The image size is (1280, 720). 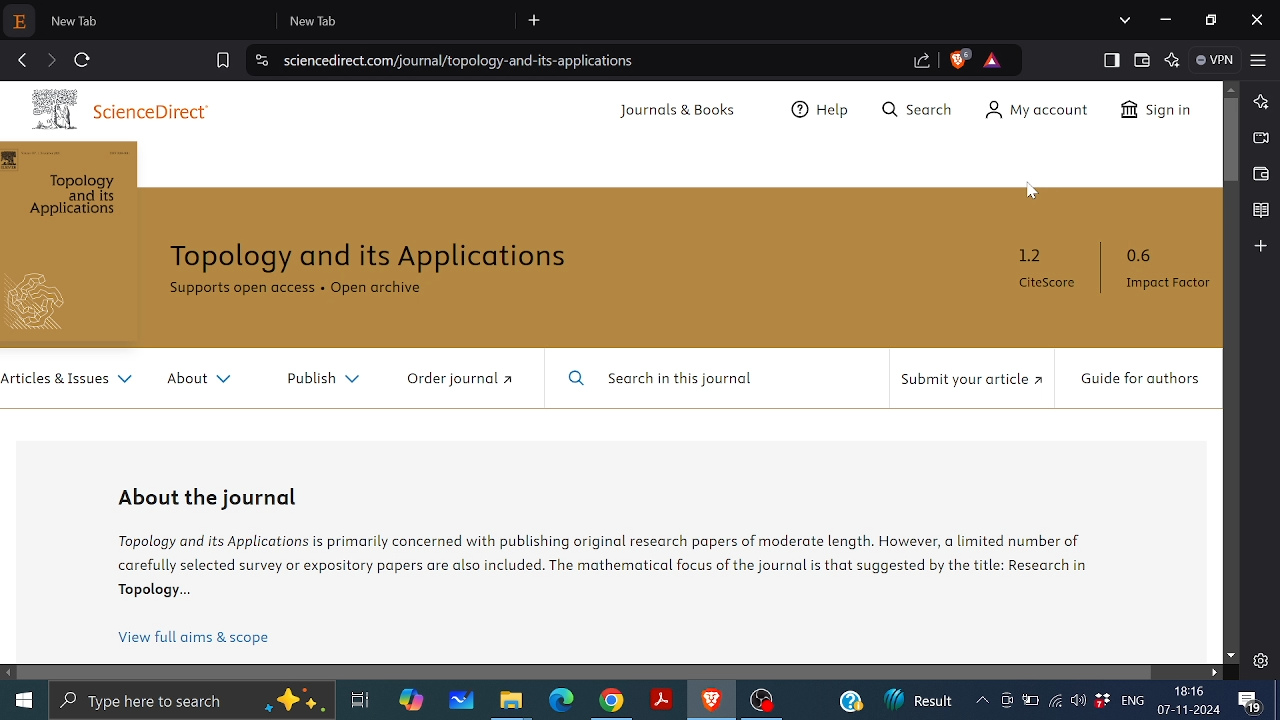 I want to click on news, so click(x=921, y=698).